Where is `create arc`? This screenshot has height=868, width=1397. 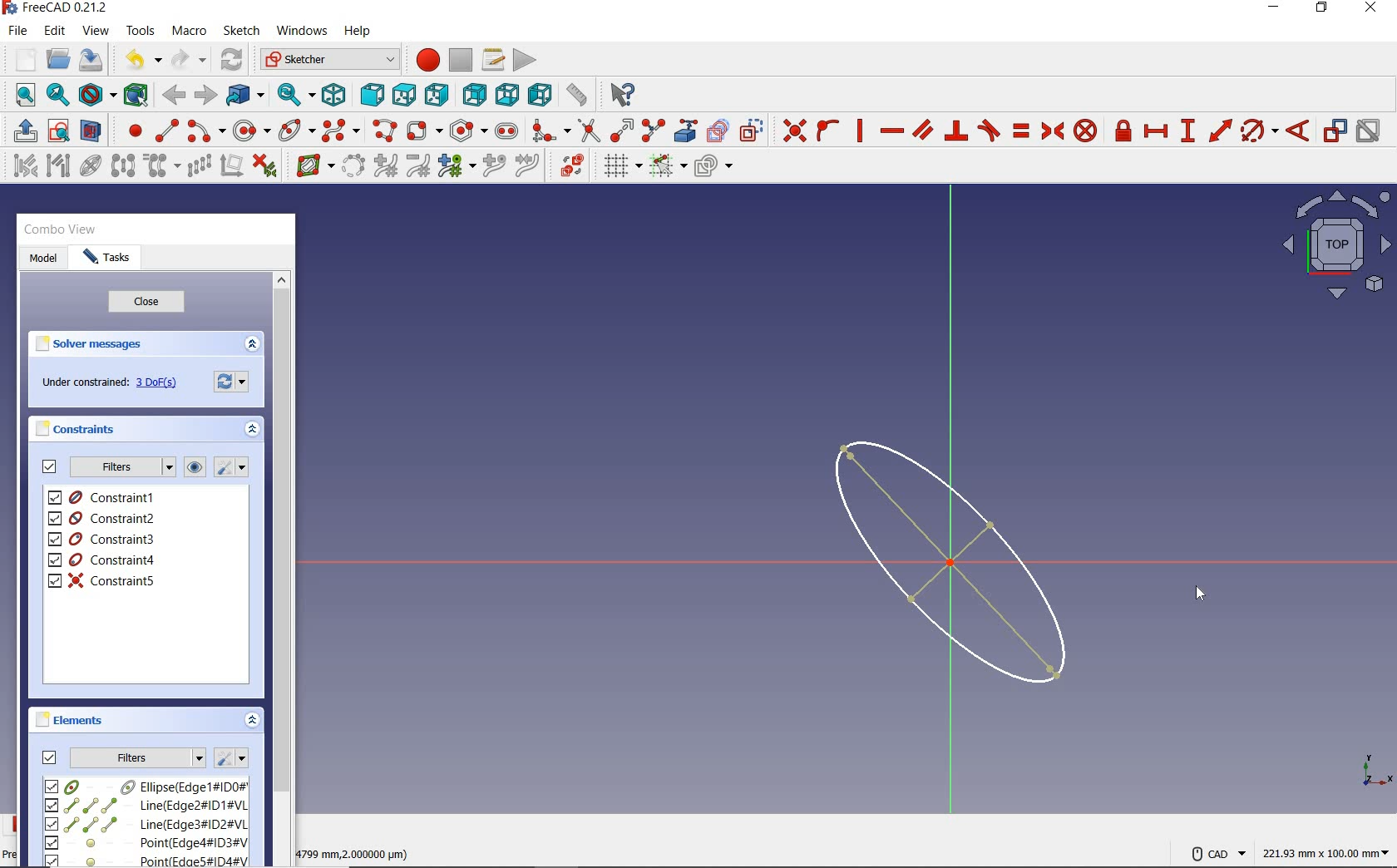 create arc is located at coordinates (206, 129).